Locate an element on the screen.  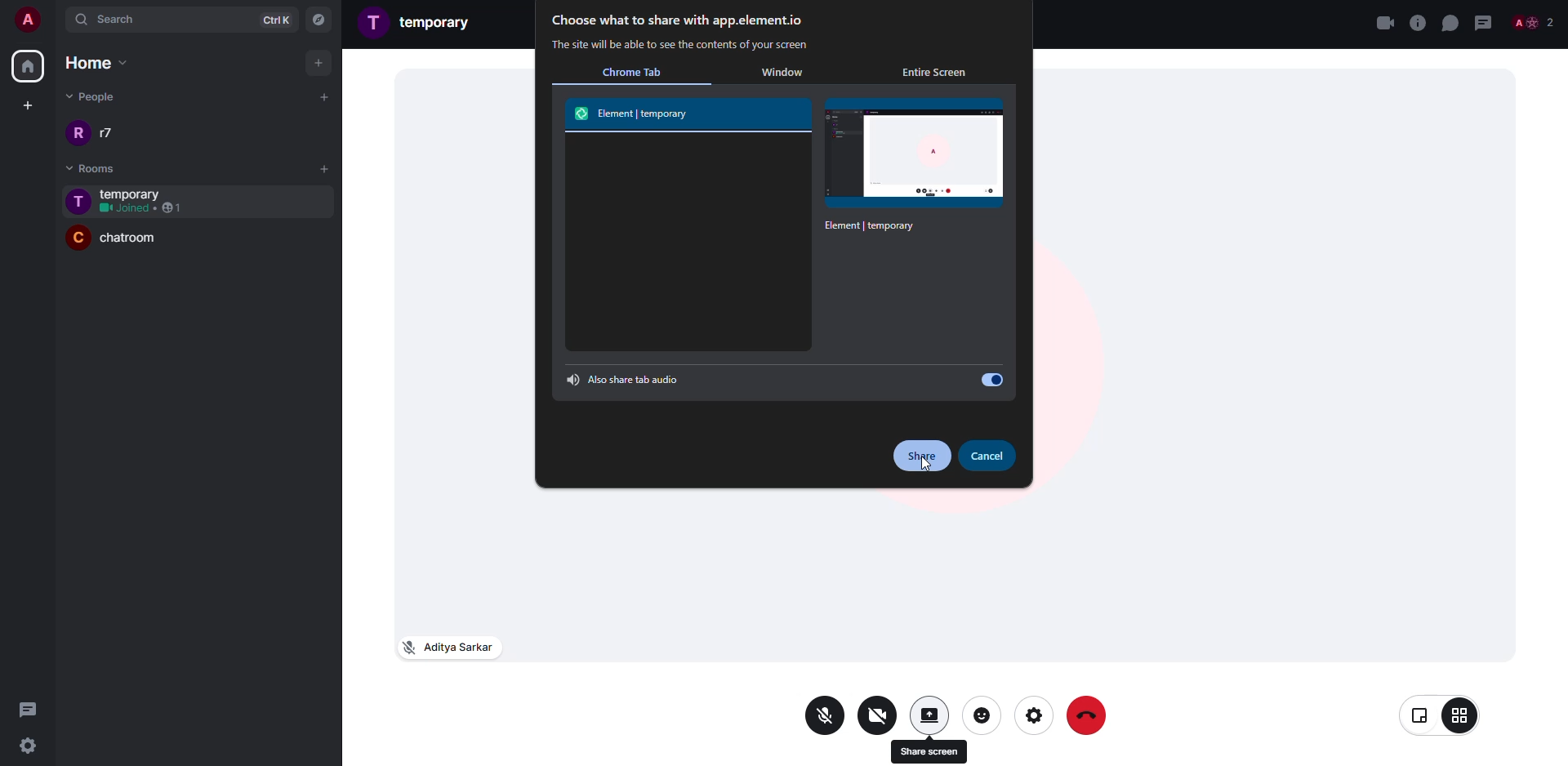
ctrlK is located at coordinates (271, 19).